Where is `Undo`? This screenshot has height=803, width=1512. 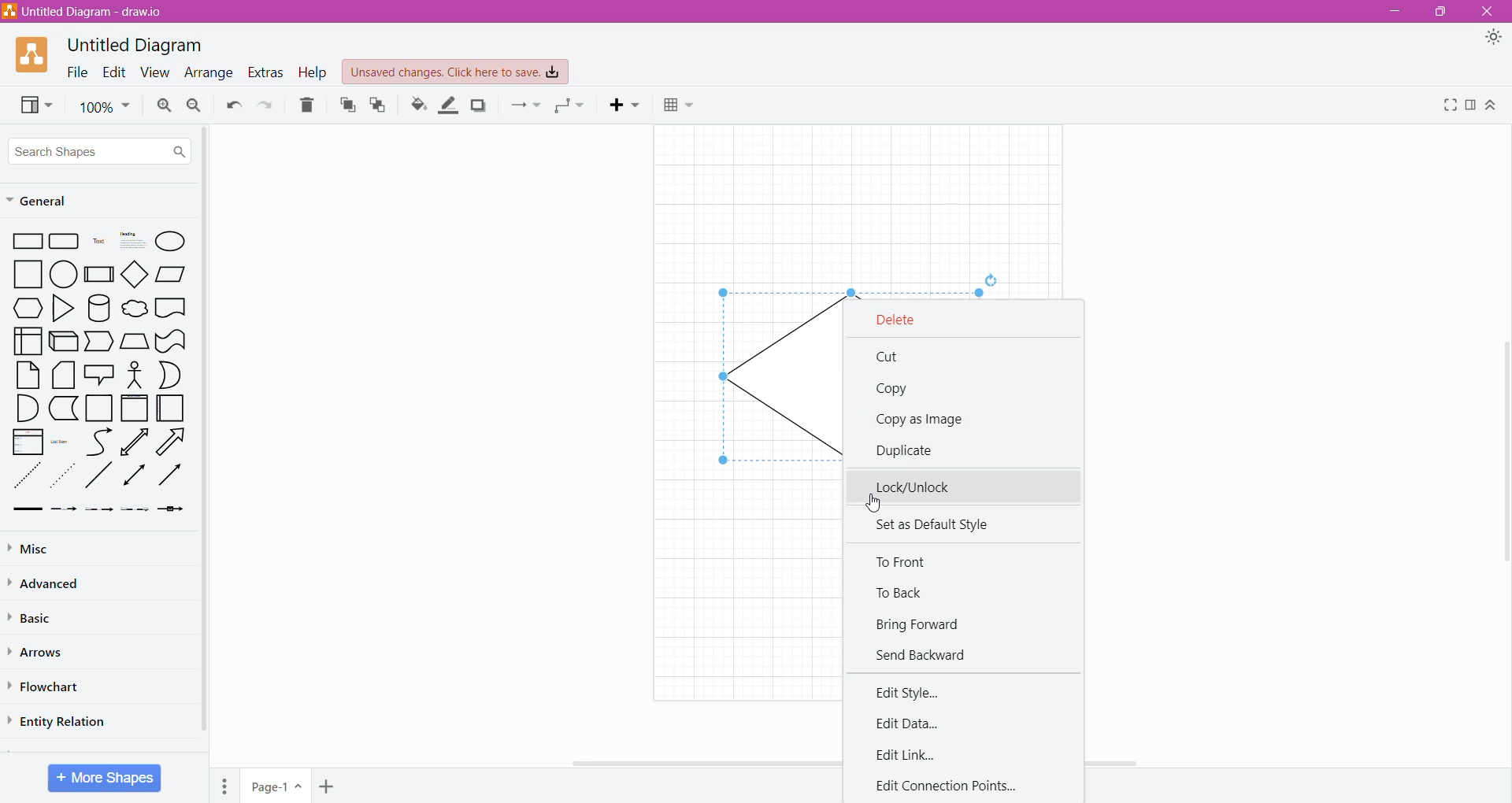
Undo is located at coordinates (234, 105).